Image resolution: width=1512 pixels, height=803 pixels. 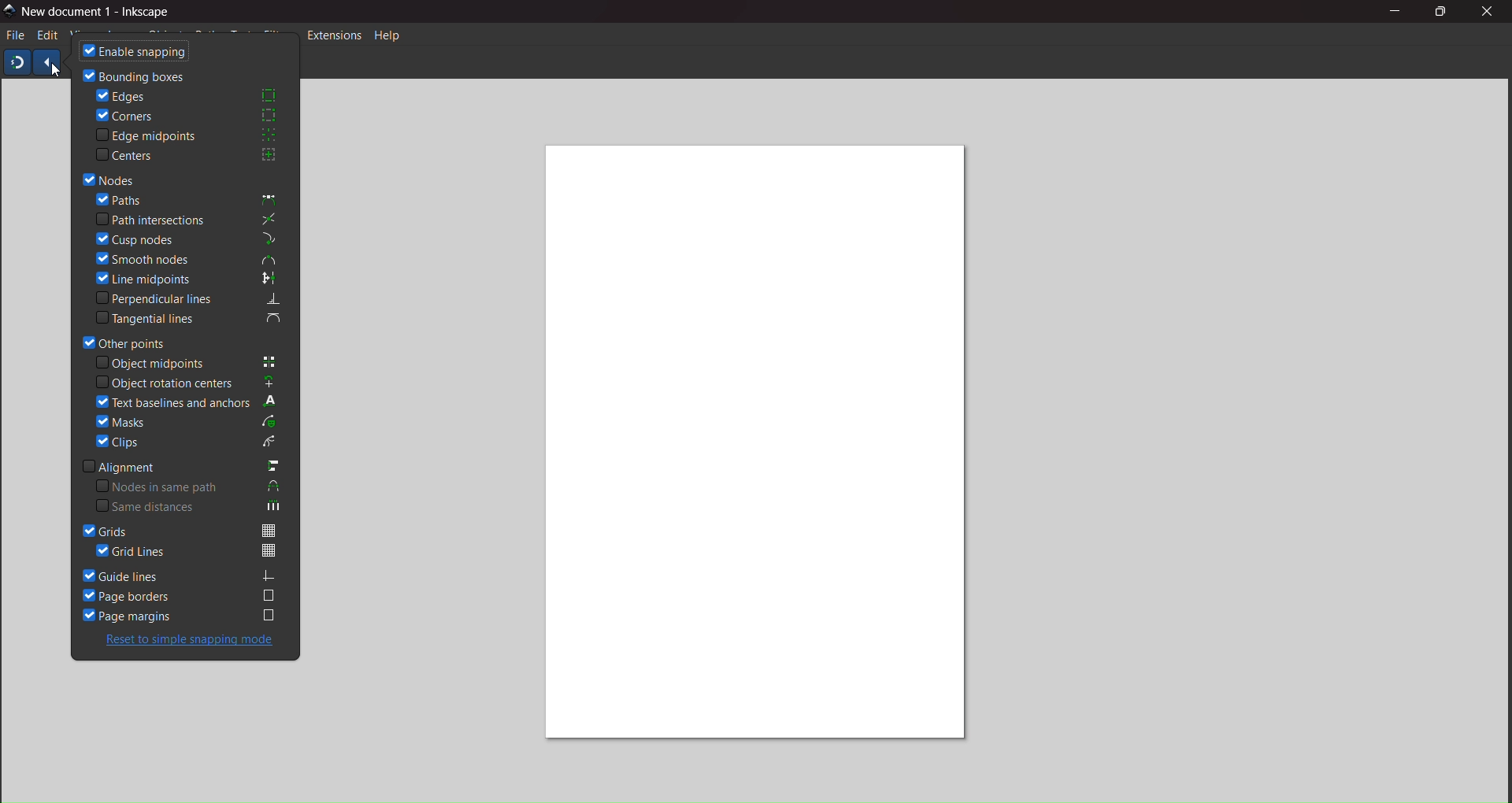 What do you see at coordinates (189, 218) in the screenshot?
I see `path intersection` at bounding box center [189, 218].